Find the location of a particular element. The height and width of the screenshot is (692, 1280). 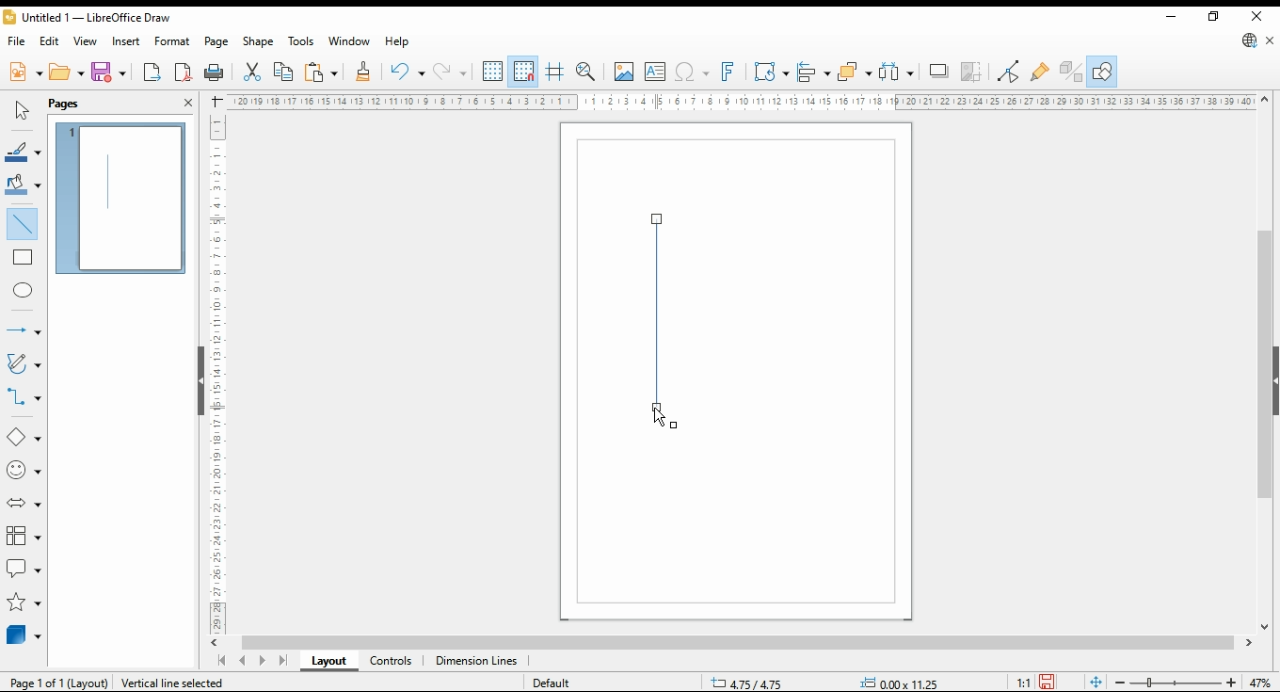

3D objects is located at coordinates (25, 635).